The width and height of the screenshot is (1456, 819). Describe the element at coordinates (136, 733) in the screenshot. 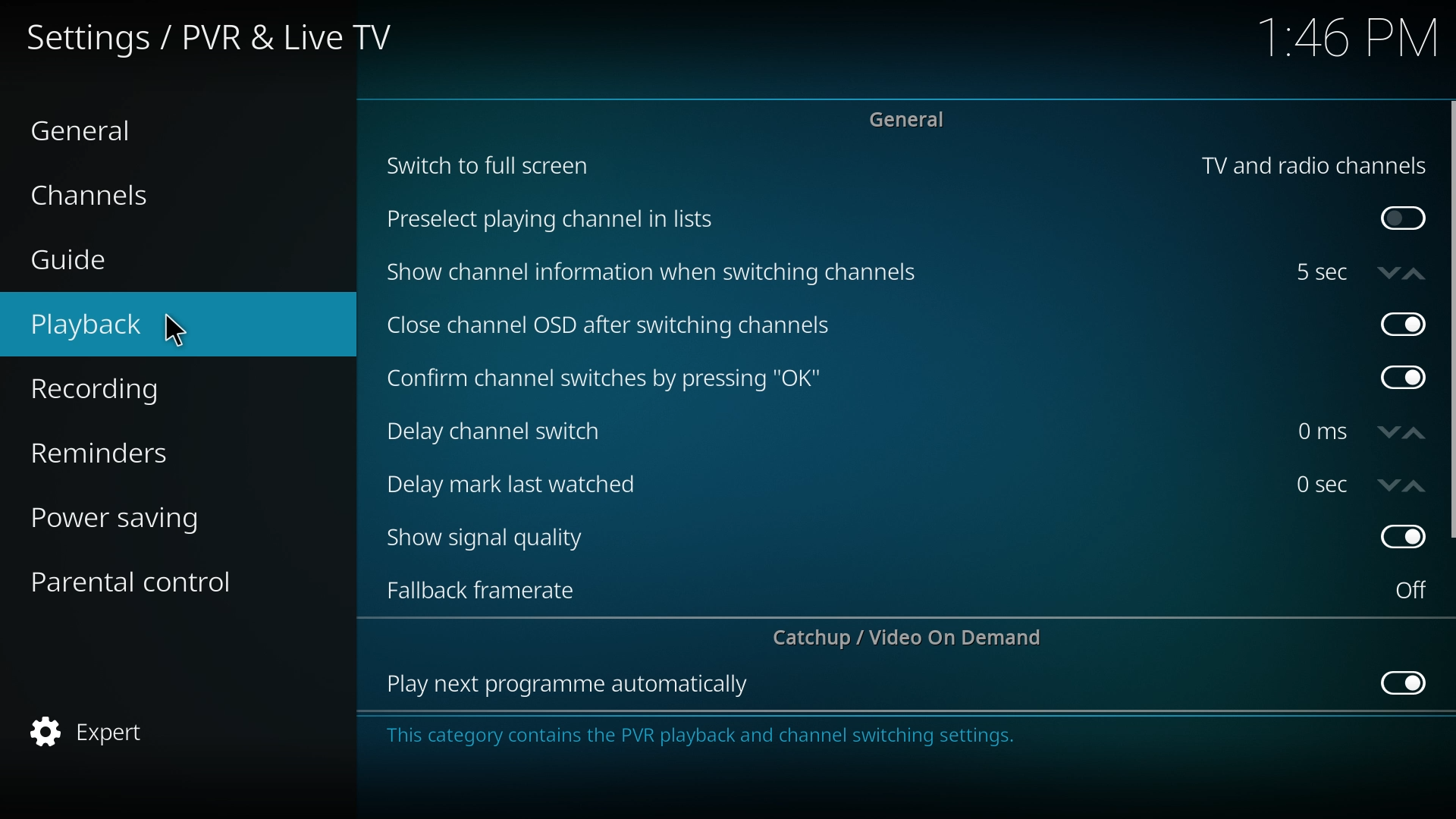

I see `expert` at that location.